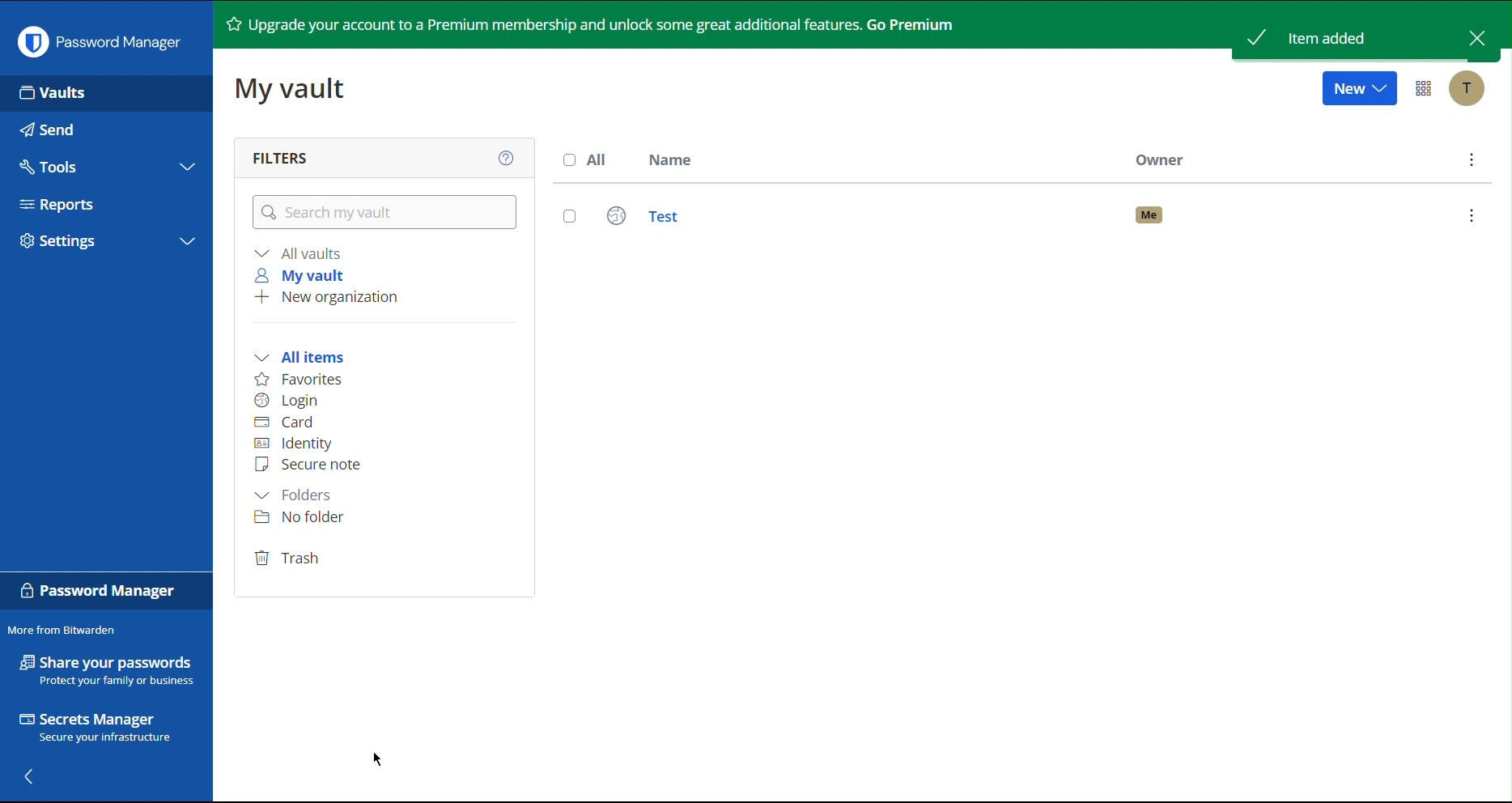 Image resolution: width=1512 pixels, height=803 pixels. What do you see at coordinates (301, 253) in the screenshot?
I see `All vaults` at bounding box center [301, 253].